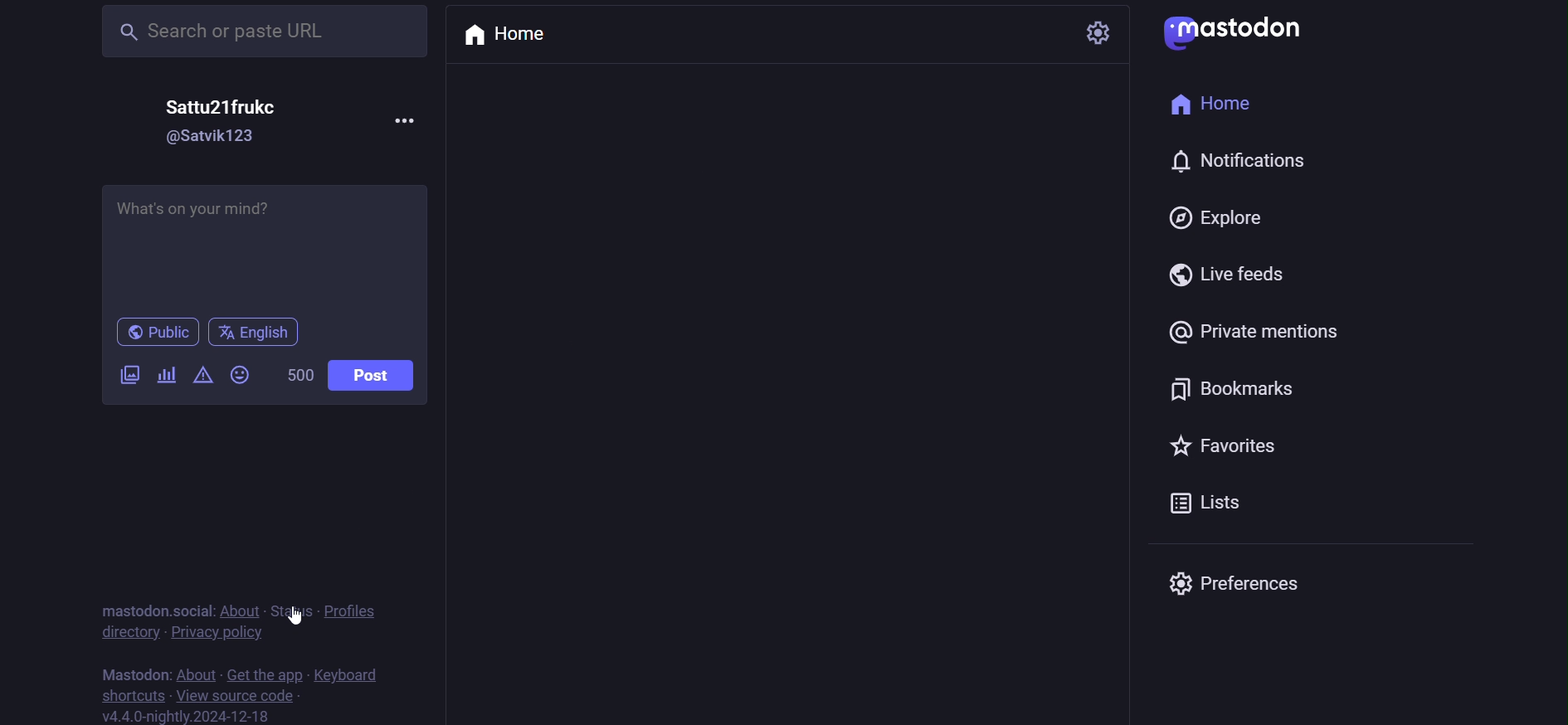  Describe the element at coordinates (1229, 581) in the screenshot. I see `preferences` at that location.